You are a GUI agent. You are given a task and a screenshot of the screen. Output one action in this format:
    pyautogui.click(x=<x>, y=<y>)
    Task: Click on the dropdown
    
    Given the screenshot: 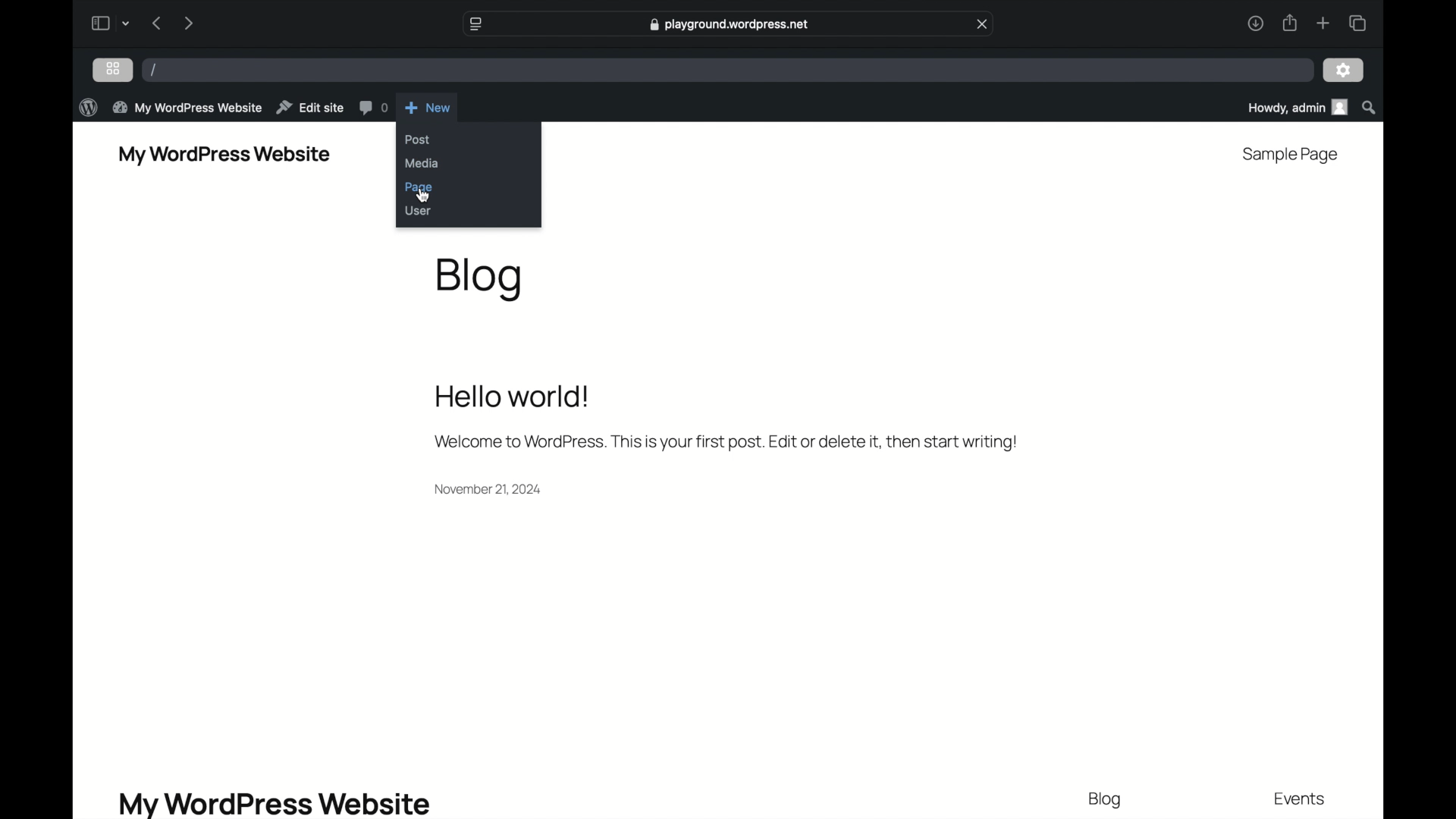 What is the action you would take?
    pyautogui.click(x=126, y=23)
    